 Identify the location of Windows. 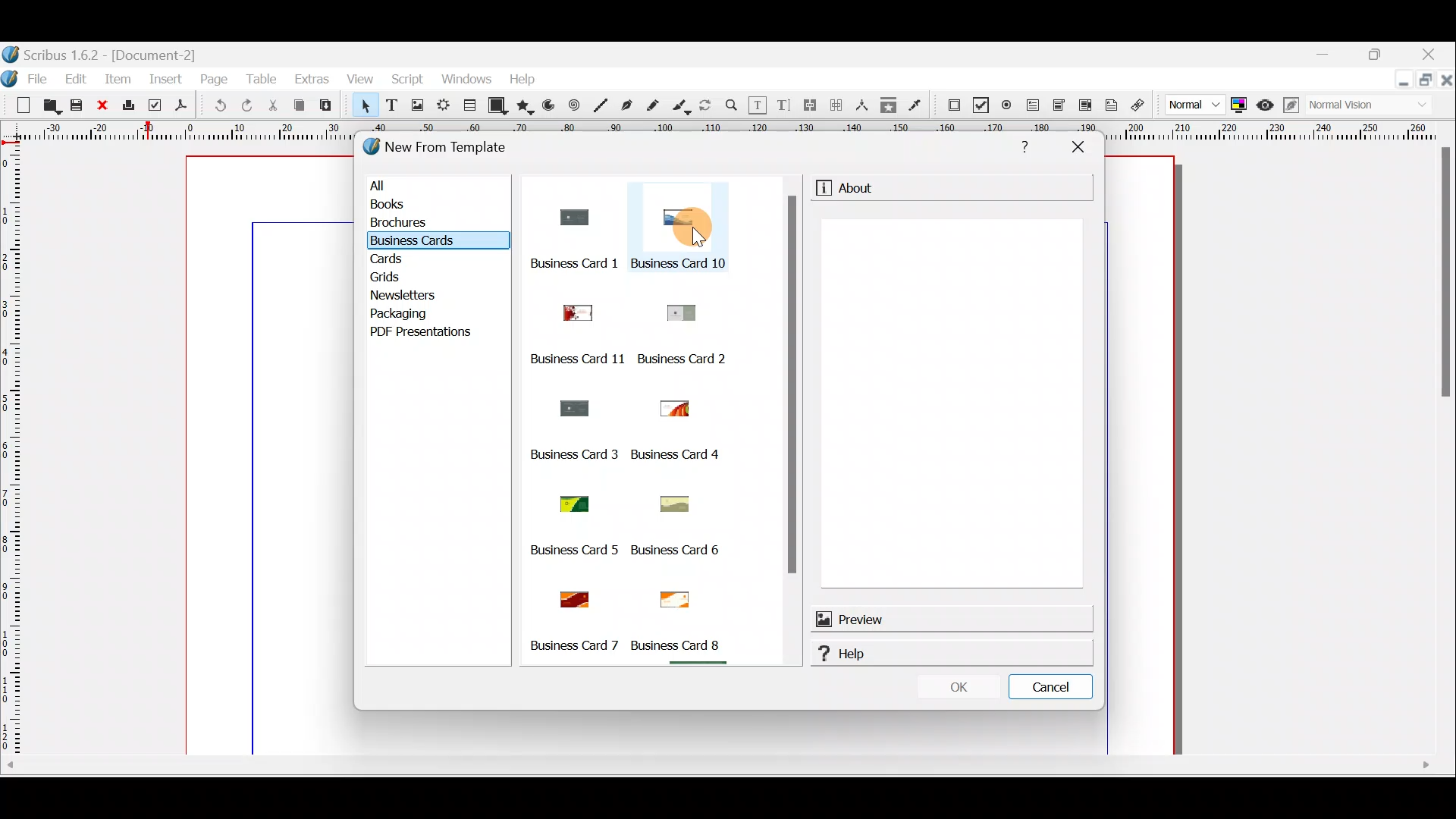
(469, 81).